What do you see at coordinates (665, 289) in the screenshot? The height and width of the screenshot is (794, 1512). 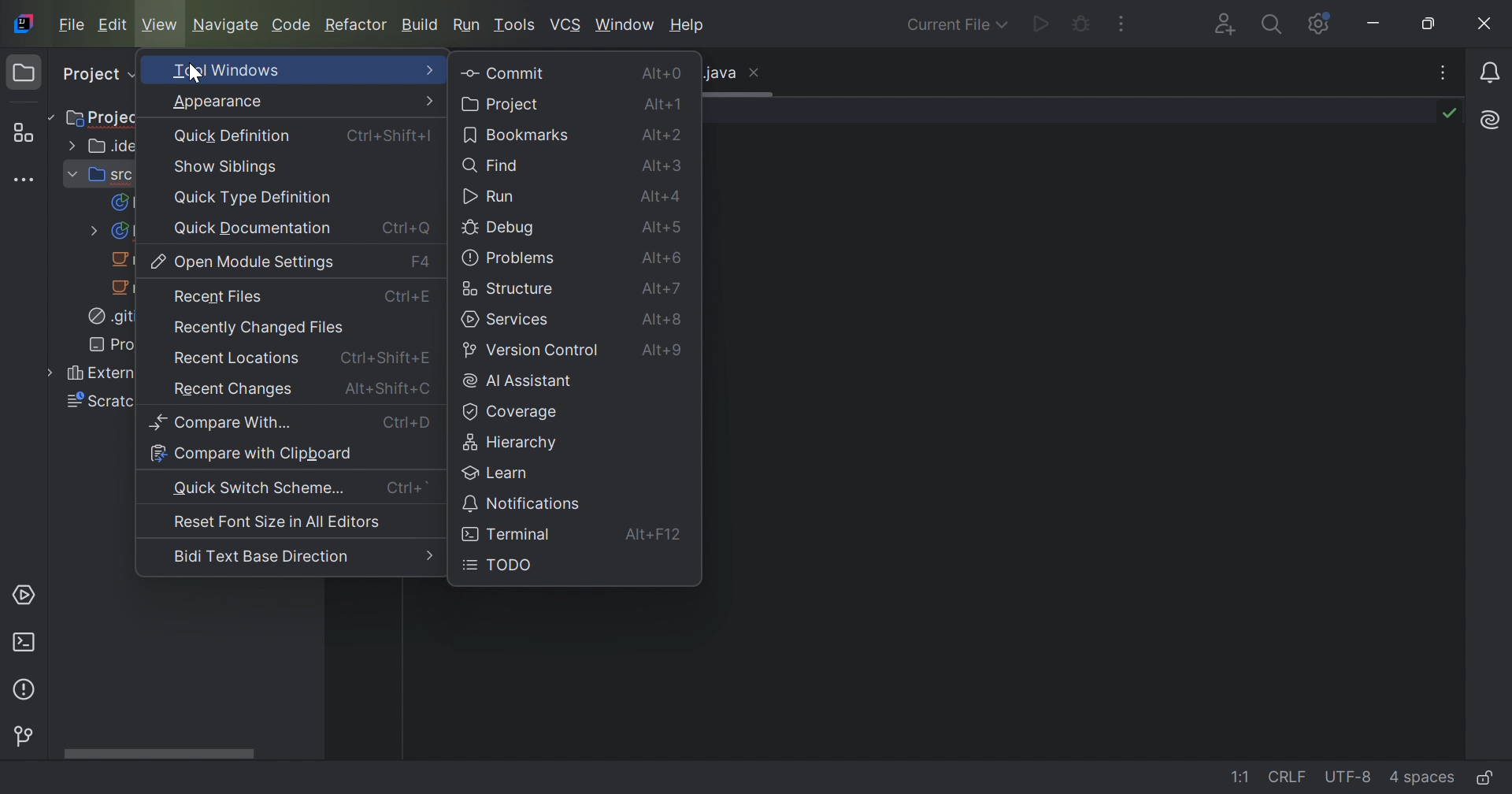 I see `Alt+7` at bounding box center [665, 289].